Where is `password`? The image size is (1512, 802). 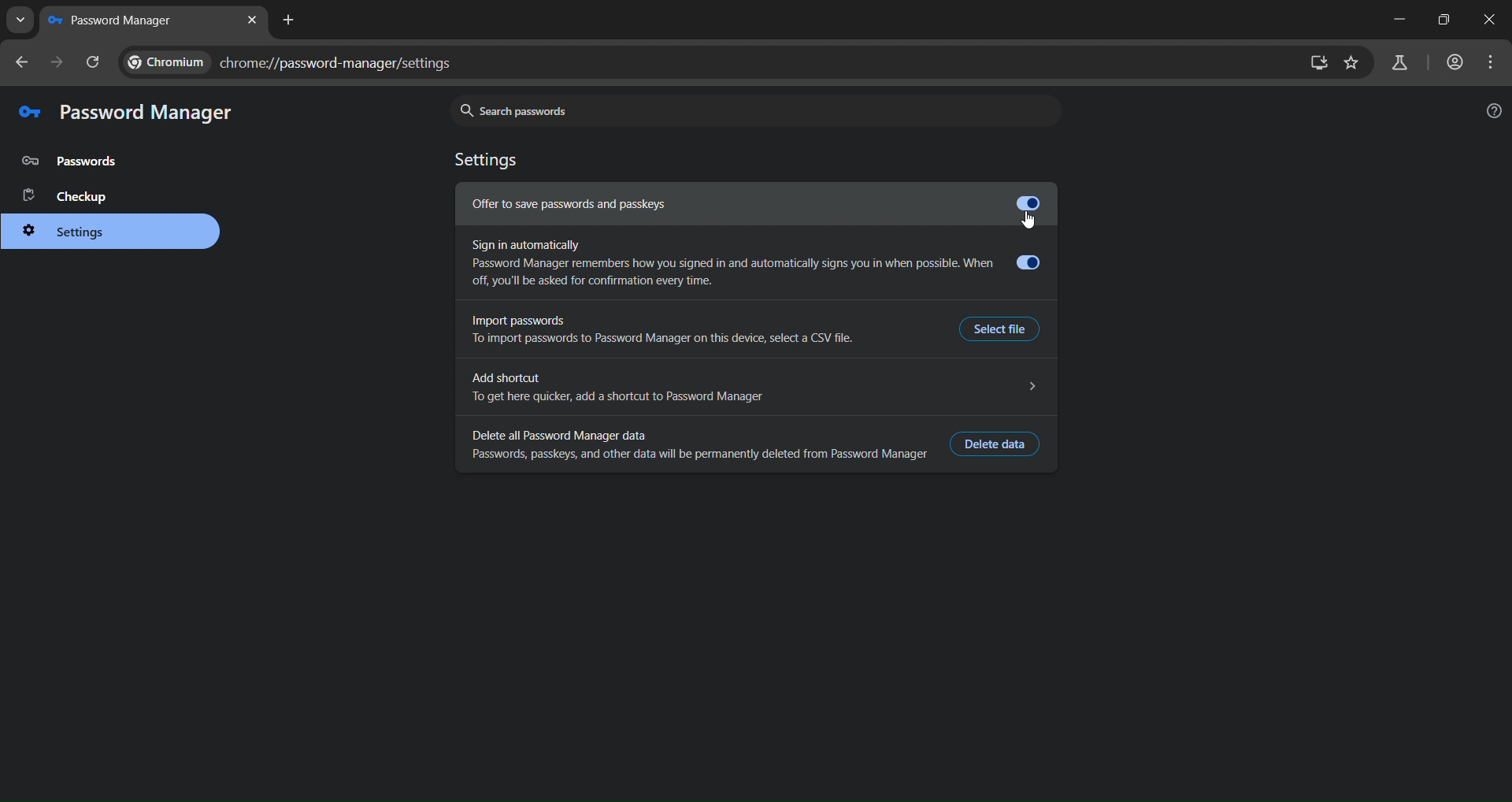
password is located at coordinates (74, 162).